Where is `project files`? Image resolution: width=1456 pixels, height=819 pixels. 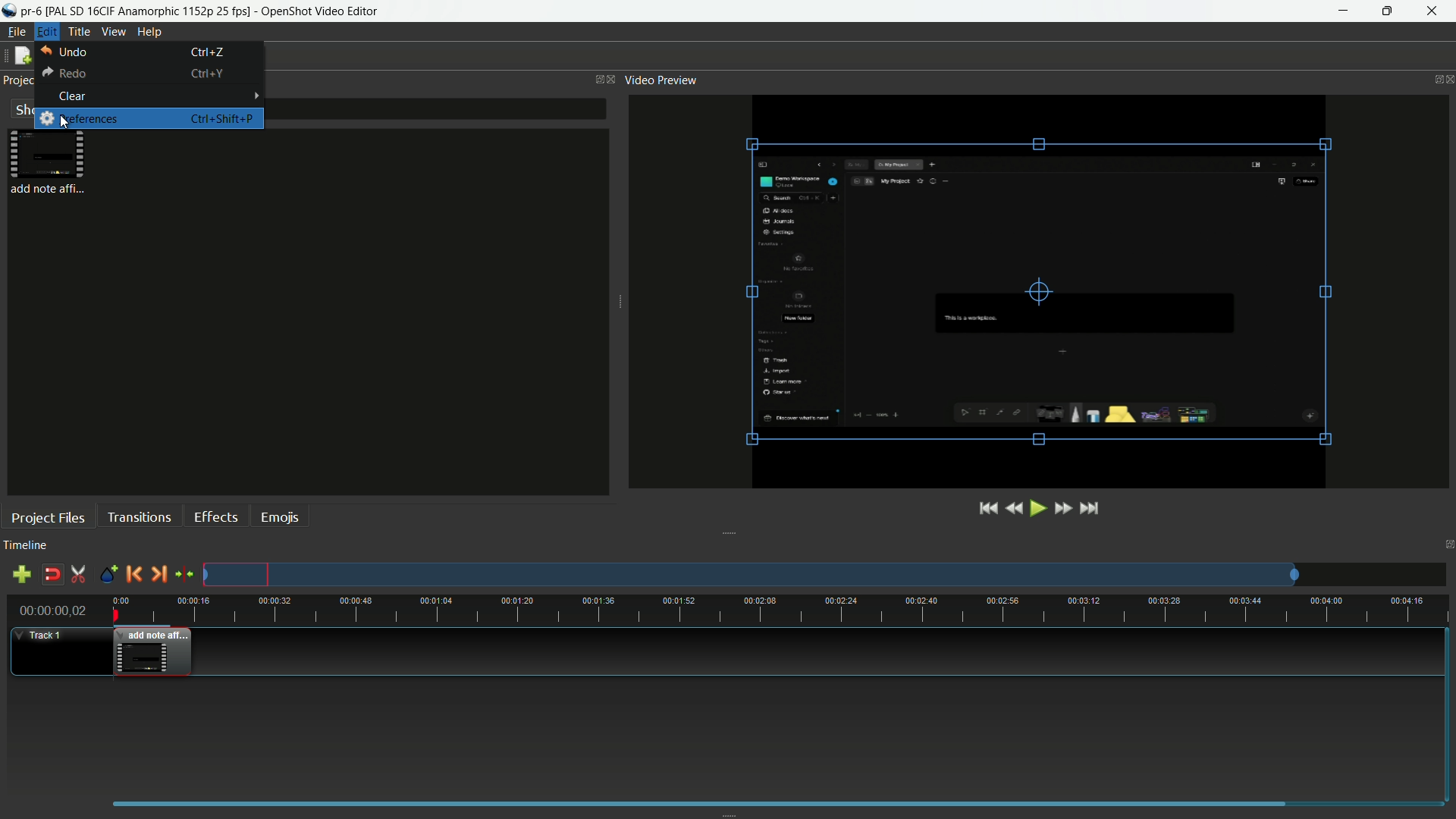 project files is located at coordinates (48, 516).